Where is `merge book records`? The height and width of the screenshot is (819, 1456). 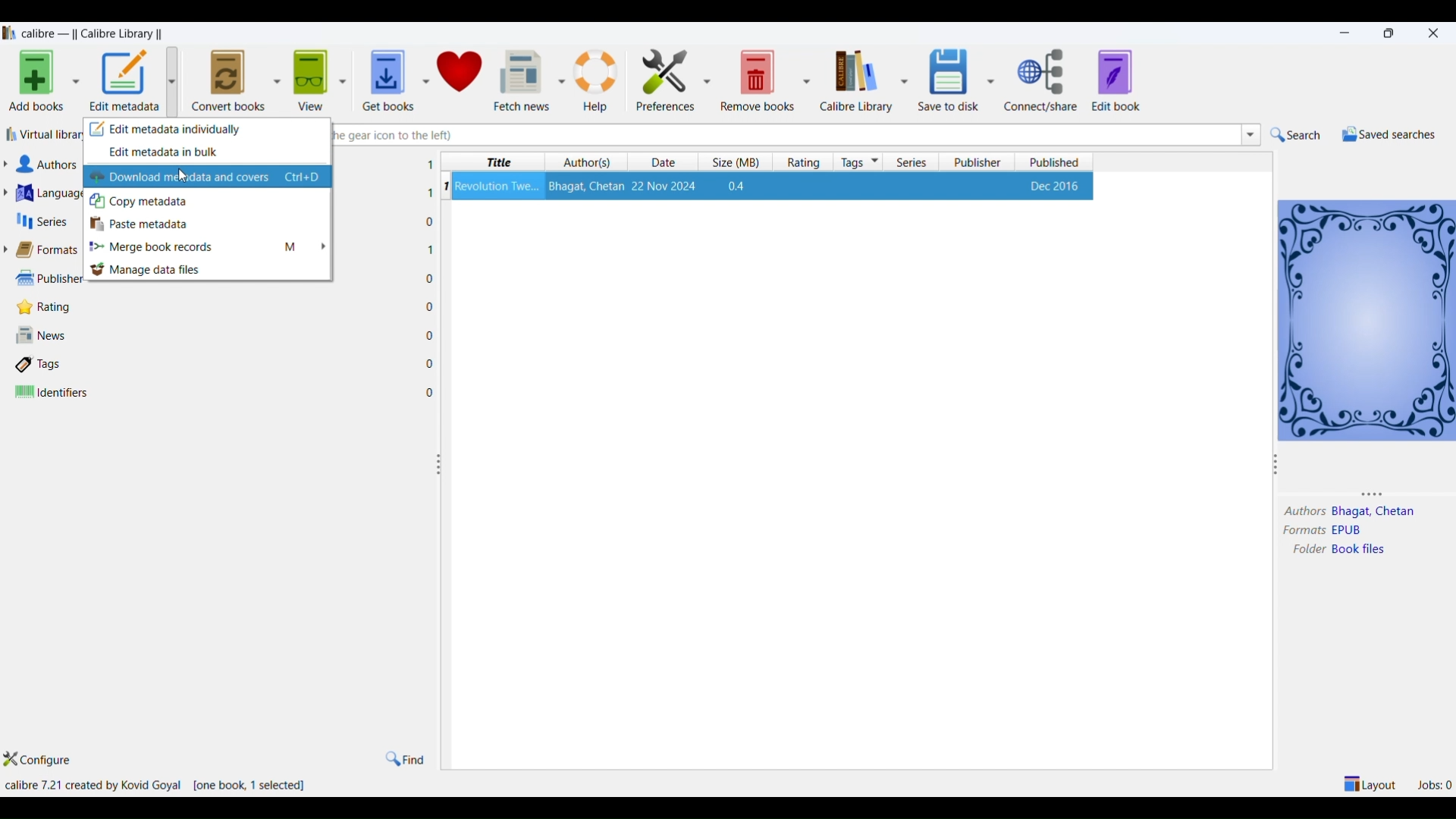
merge book records is located at coordinates (211, 249).